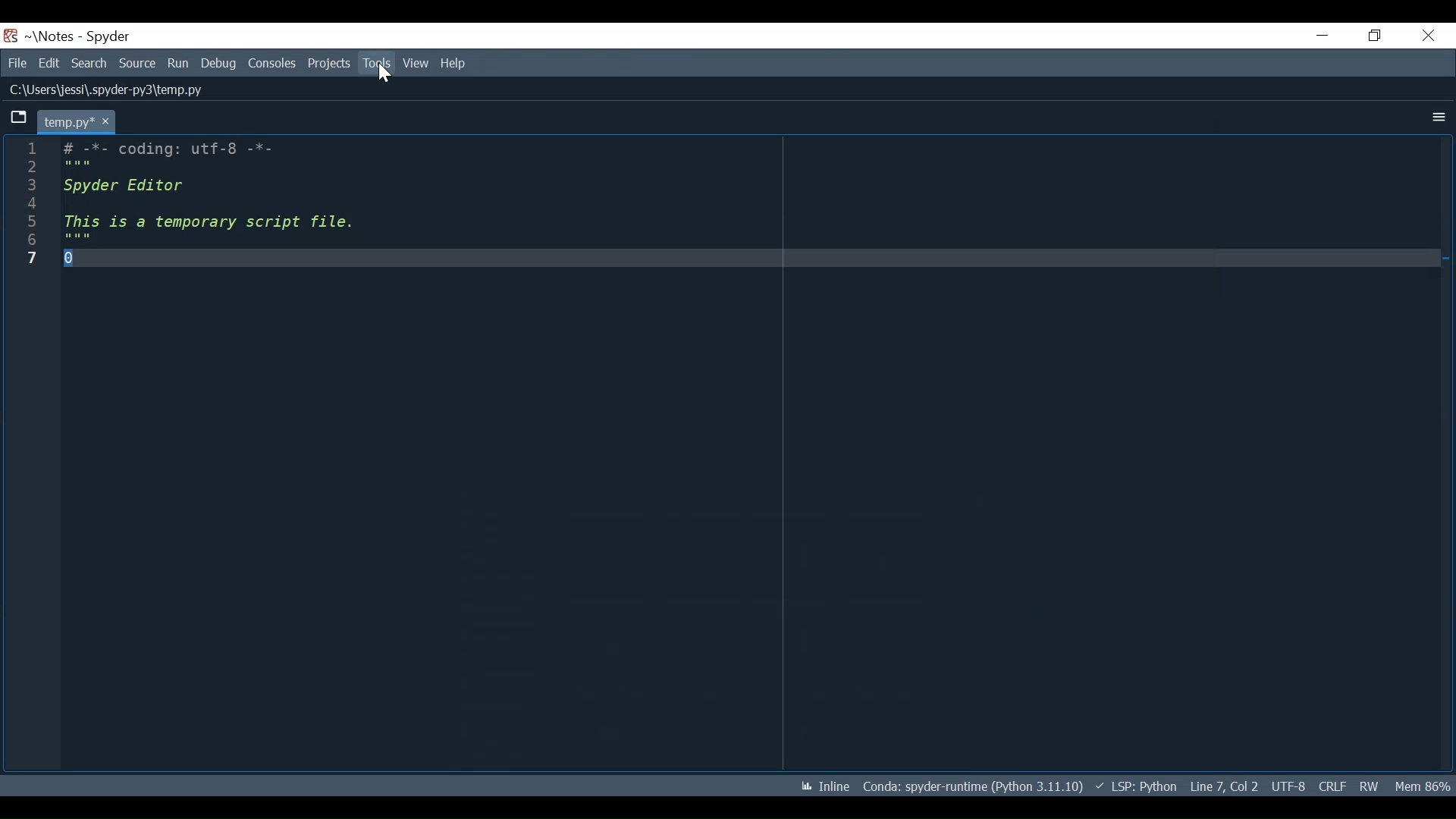 This screenshot has height=819, width=1456. What do you see at coordinates (17, 118) in the screenshot?
I see `Browse Tab` at bounding box center [17, 118].